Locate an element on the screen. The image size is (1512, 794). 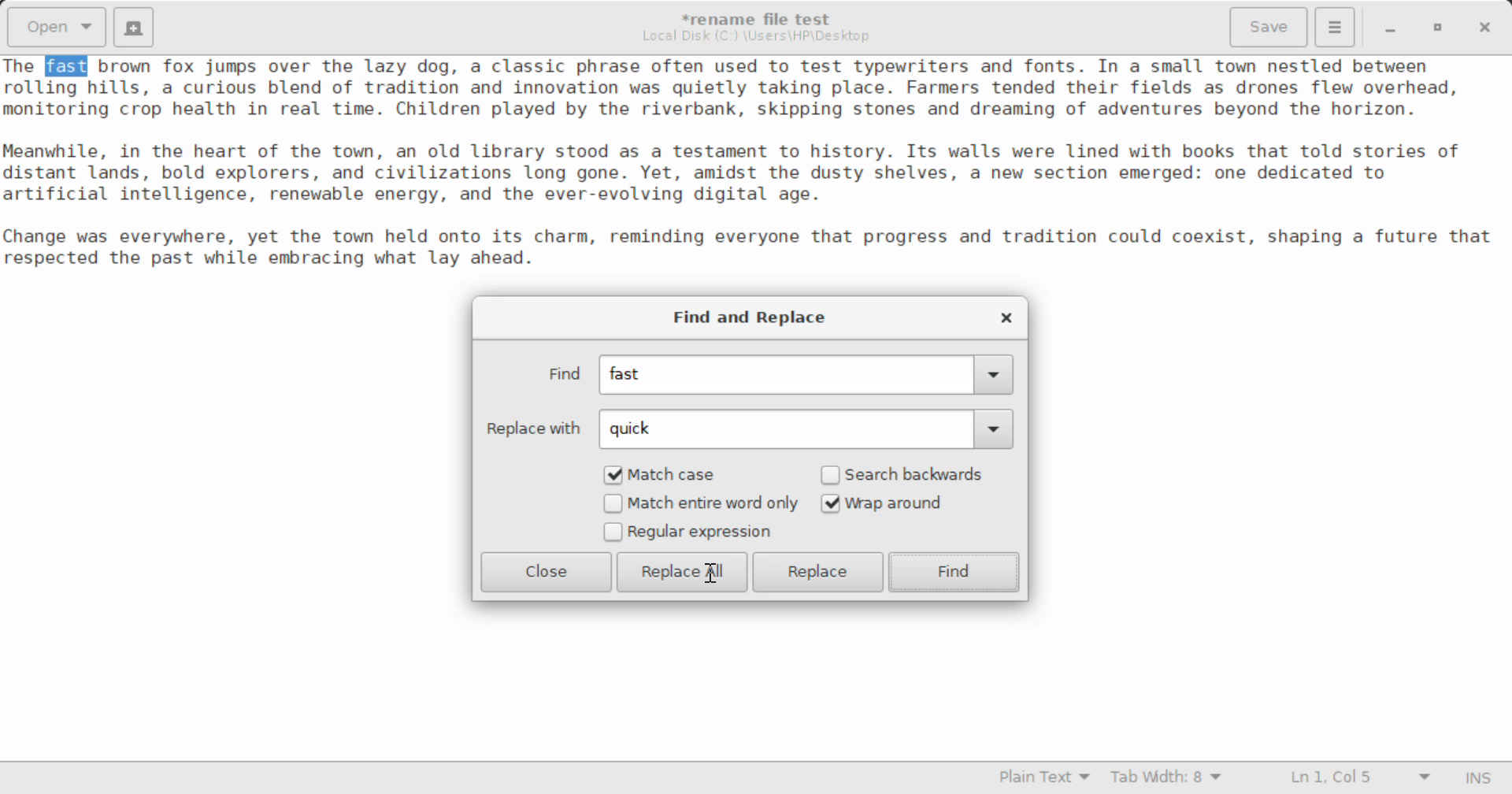
Line and Character Count is located at coordinates (1357, 779).